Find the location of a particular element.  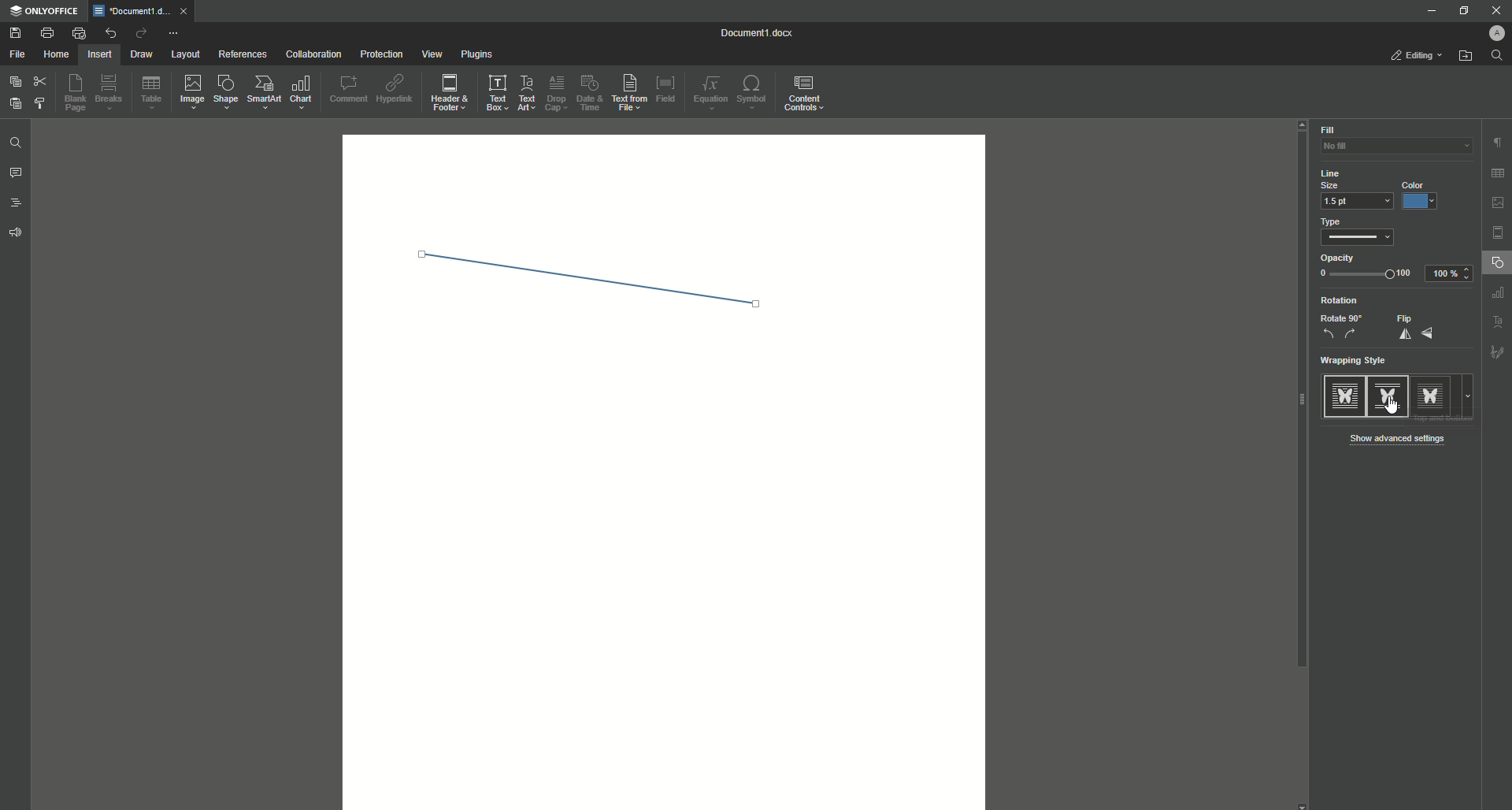

Table is located at coordinates (152, 95).